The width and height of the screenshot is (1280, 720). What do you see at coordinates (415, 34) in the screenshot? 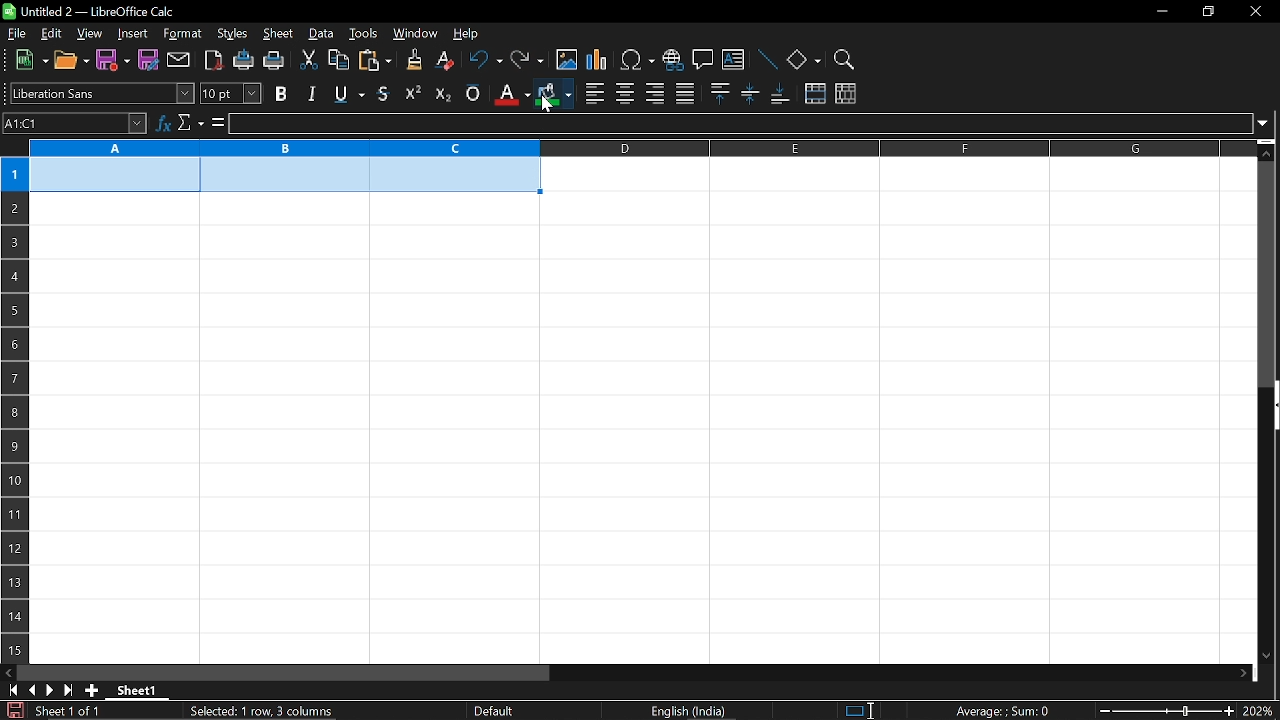
I see `window` at bounding box center [415, 34].